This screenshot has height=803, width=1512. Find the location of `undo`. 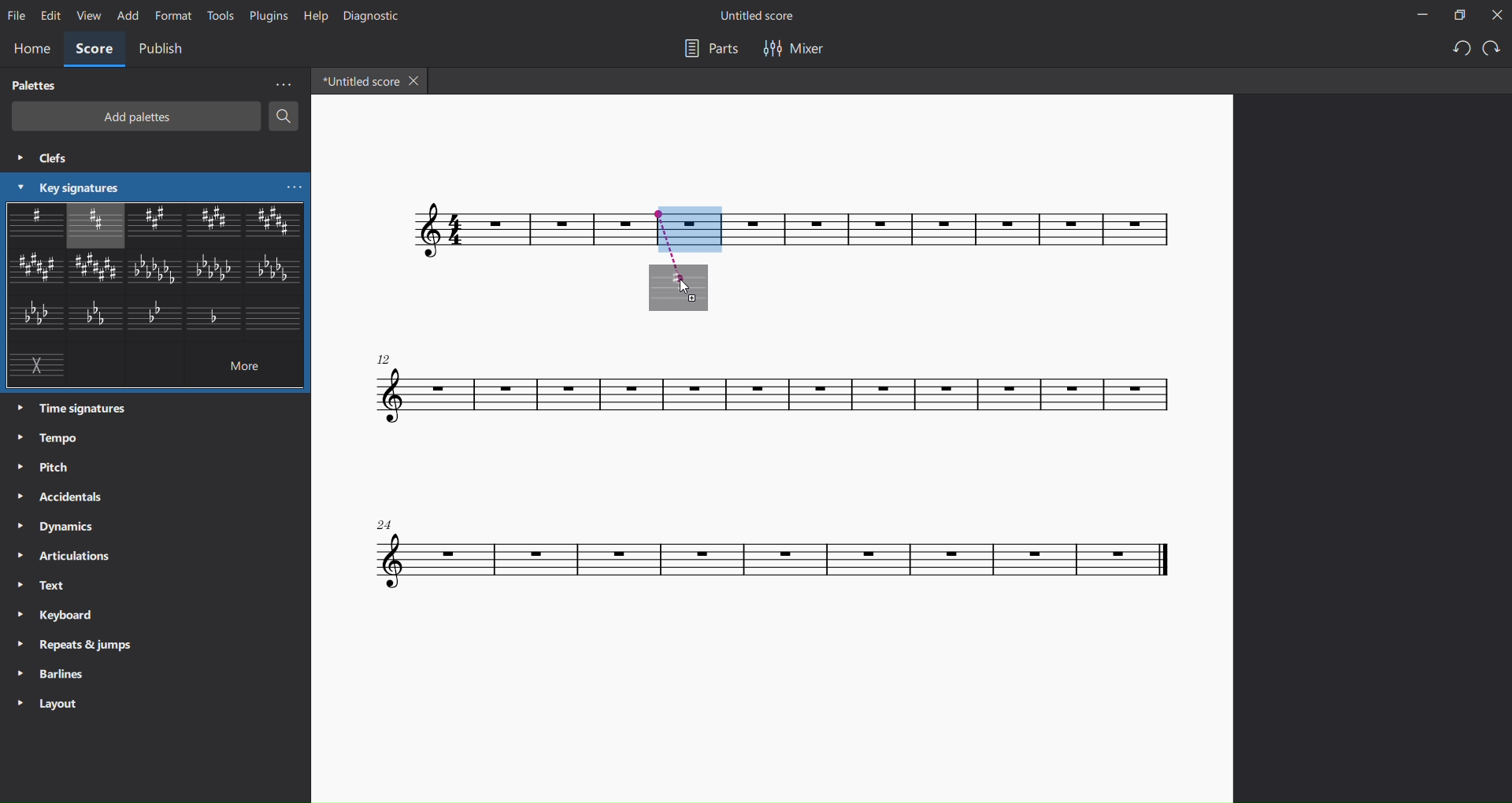

undo is located at coordinates (1458, 50).